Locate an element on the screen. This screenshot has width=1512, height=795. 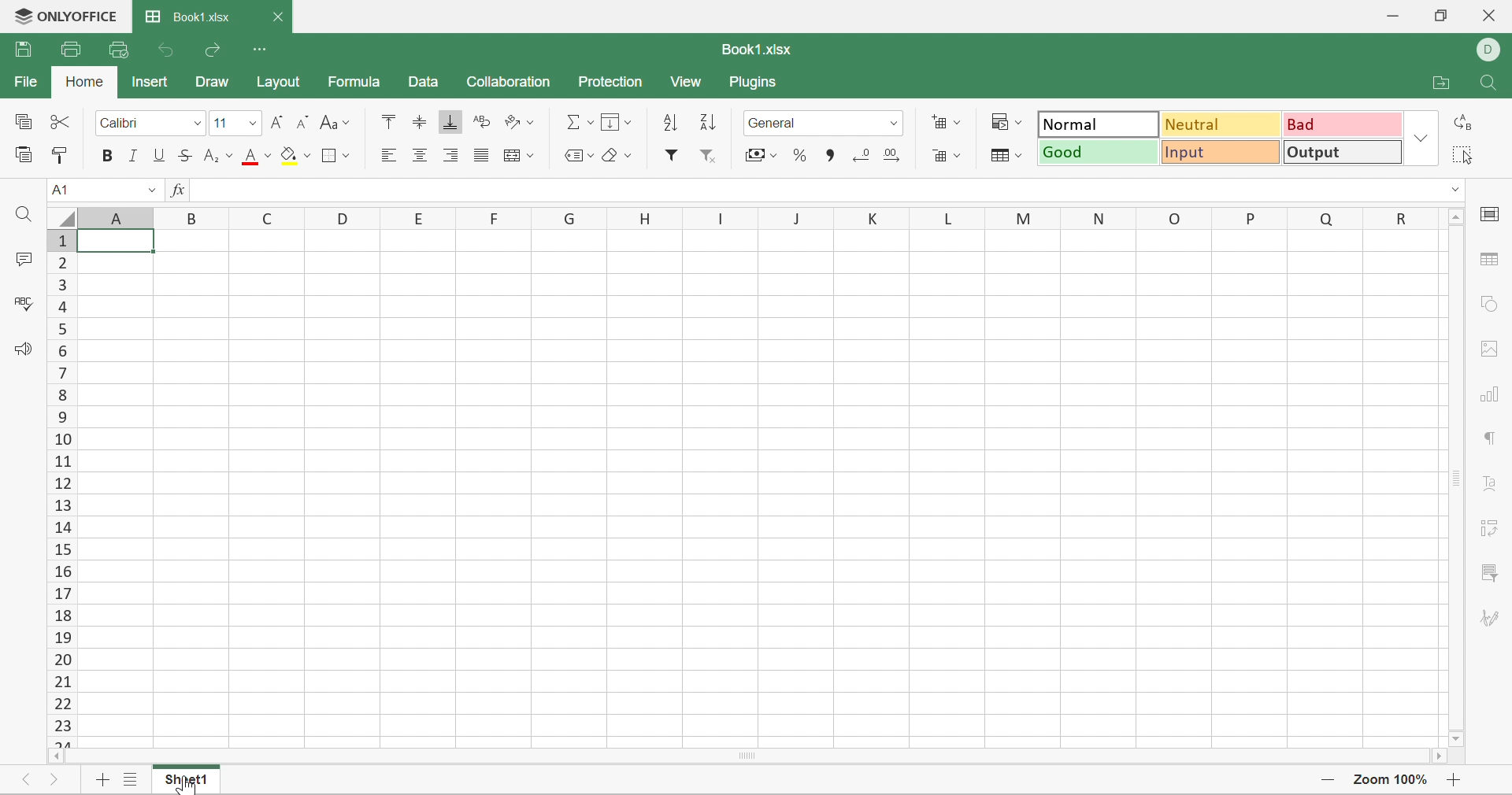
Check spelling is located at coordinates (27, 307).